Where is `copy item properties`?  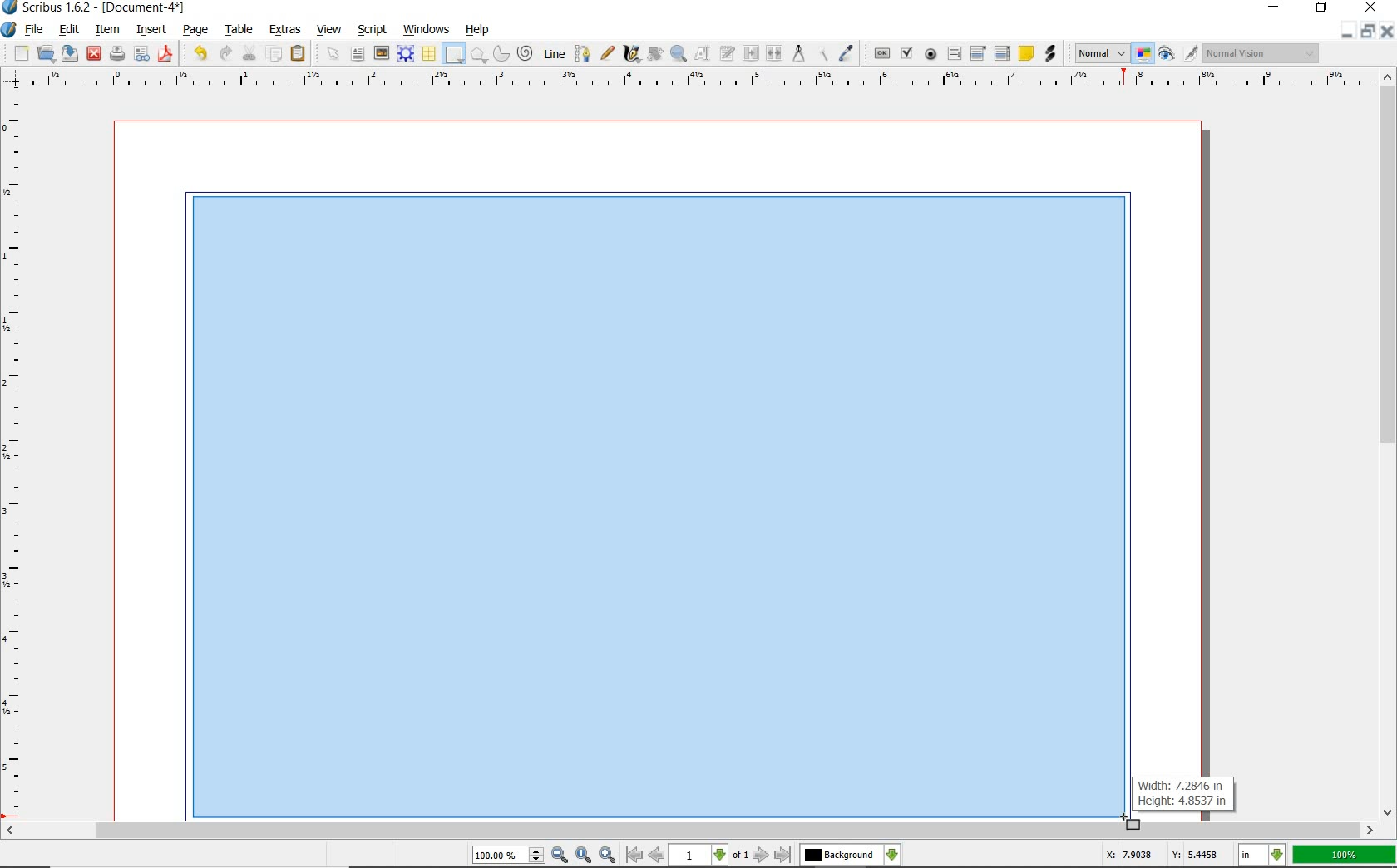 copy item properties is located at coordinates (822, 53).